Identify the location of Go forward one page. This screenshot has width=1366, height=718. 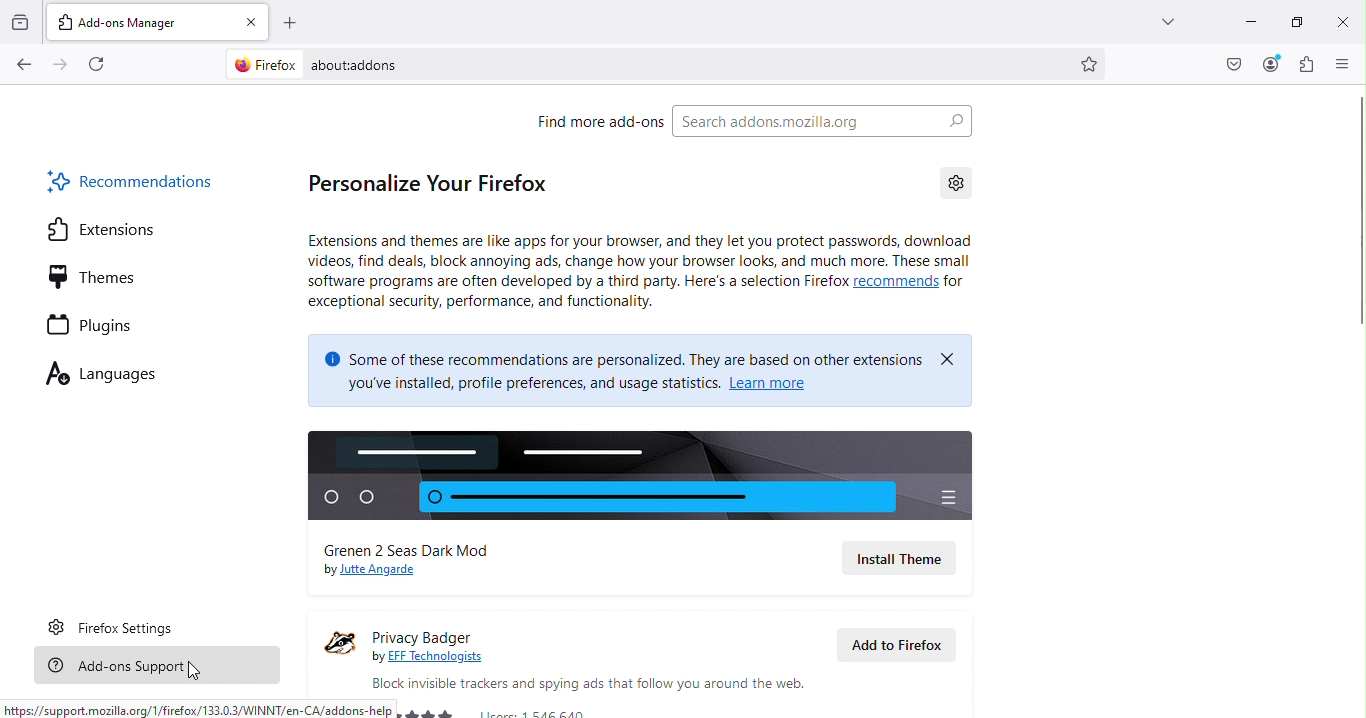
(64, 64).